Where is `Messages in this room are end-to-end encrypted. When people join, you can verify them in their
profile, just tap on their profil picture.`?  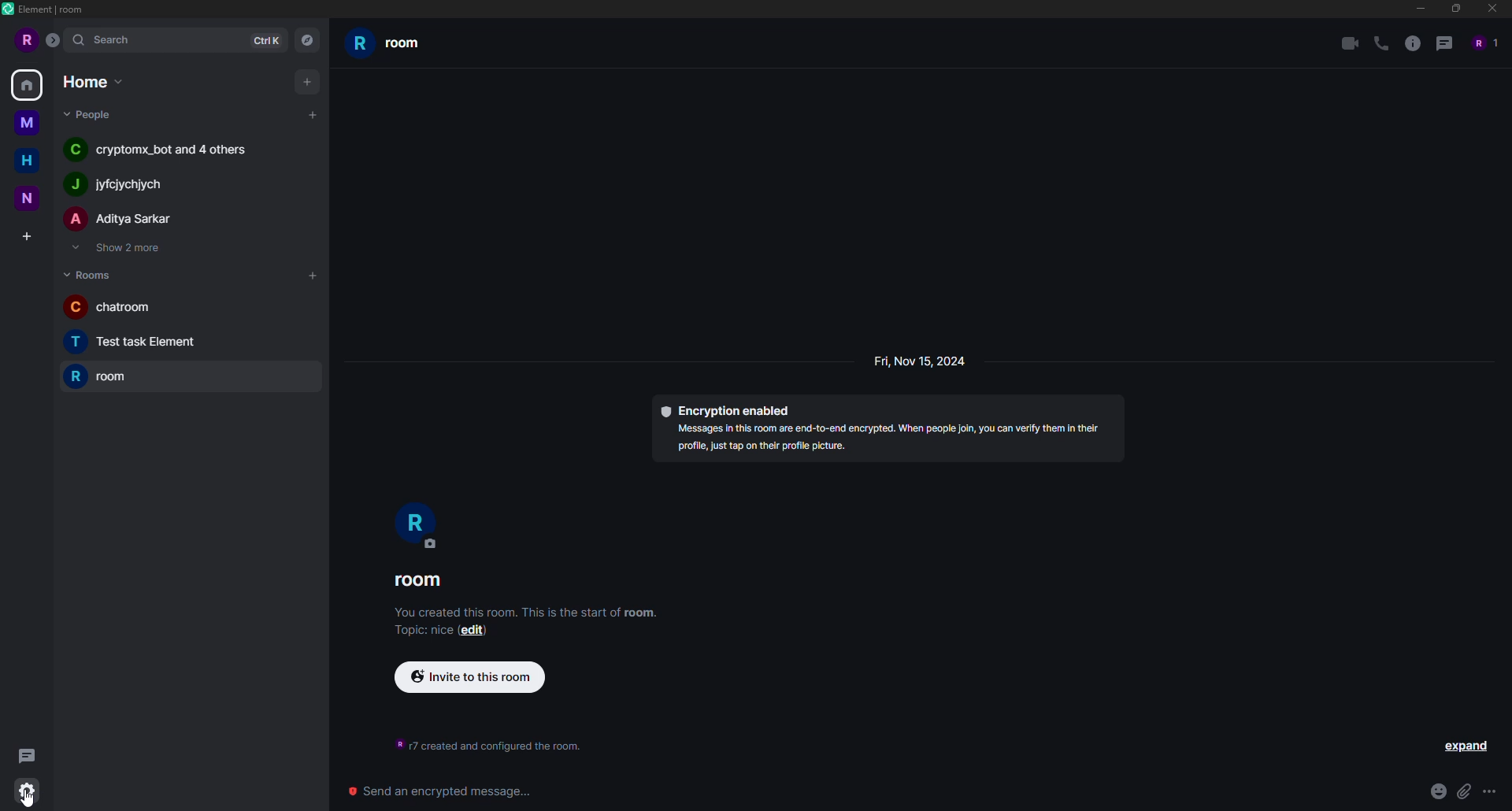 Messages in this room are end-to-end encrypted. When people join, you can verify them in their
profile, just tap on their profil picture. is located at coordinates (888, 440).